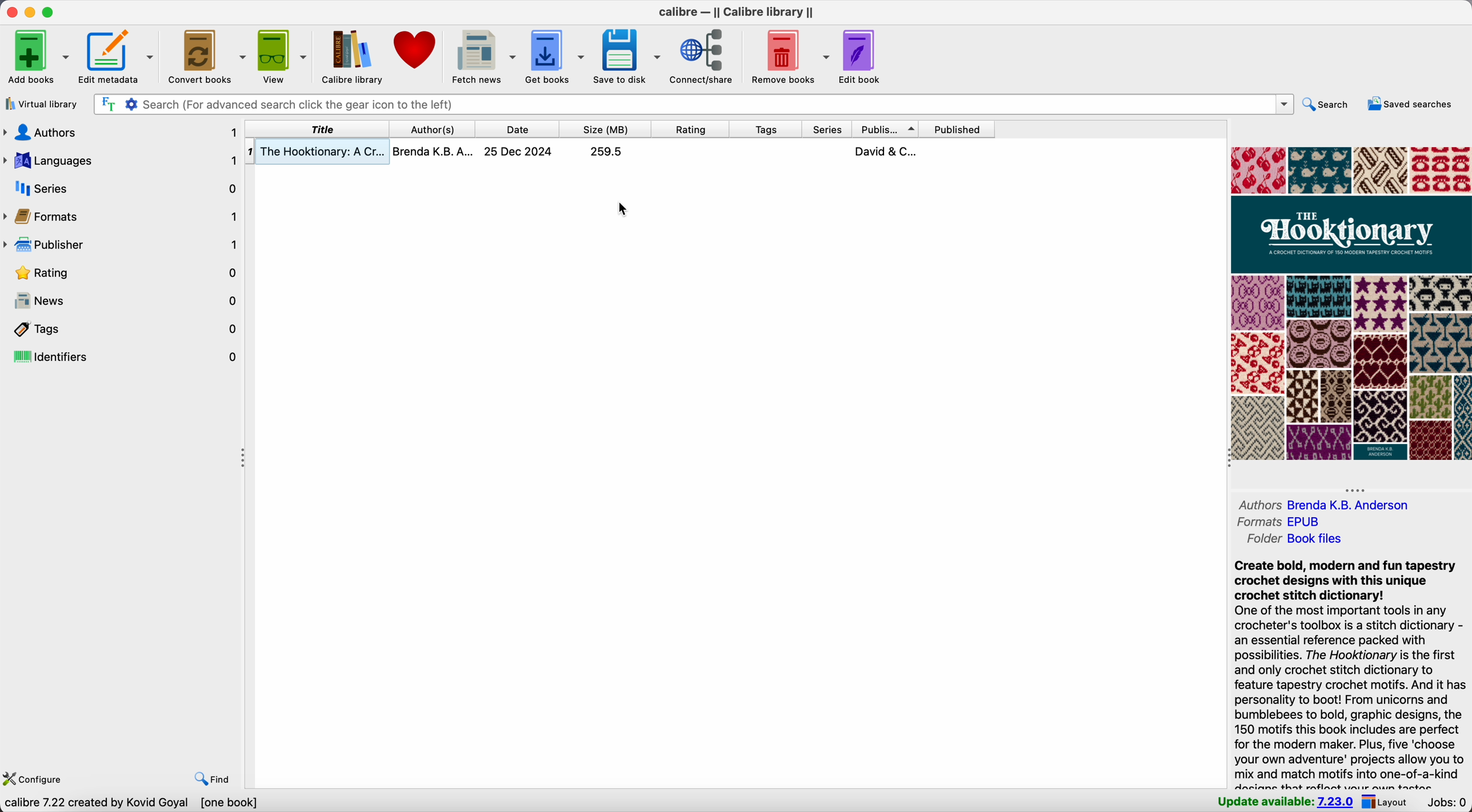 This screenshot has width=1472, height=812. What do you see at coordinates (556, 57) in the screenshot?
I see `get books` at bounding box center [556, 57].